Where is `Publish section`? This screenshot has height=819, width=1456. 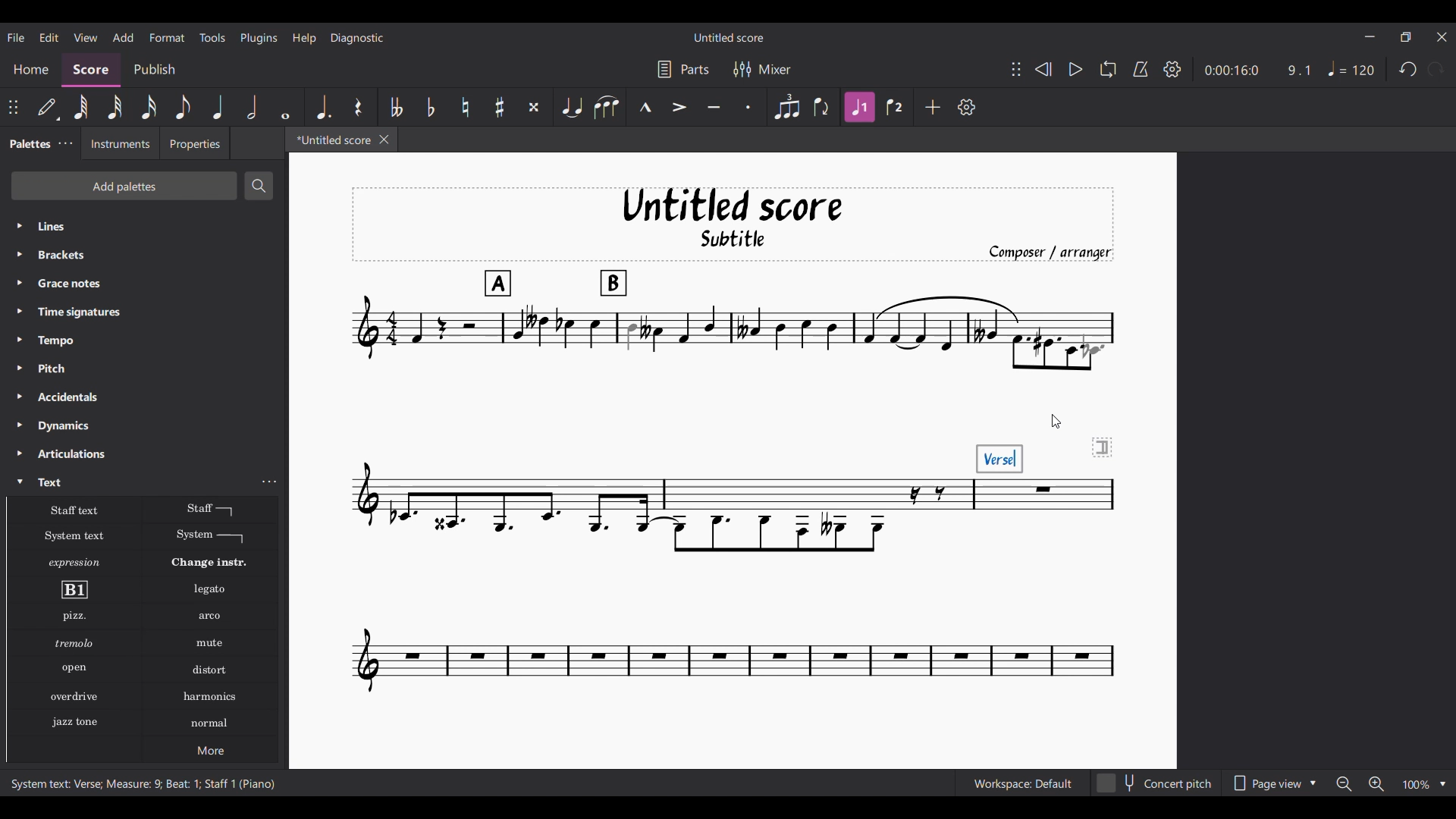
Publish section is located at coordinates (154, 70).